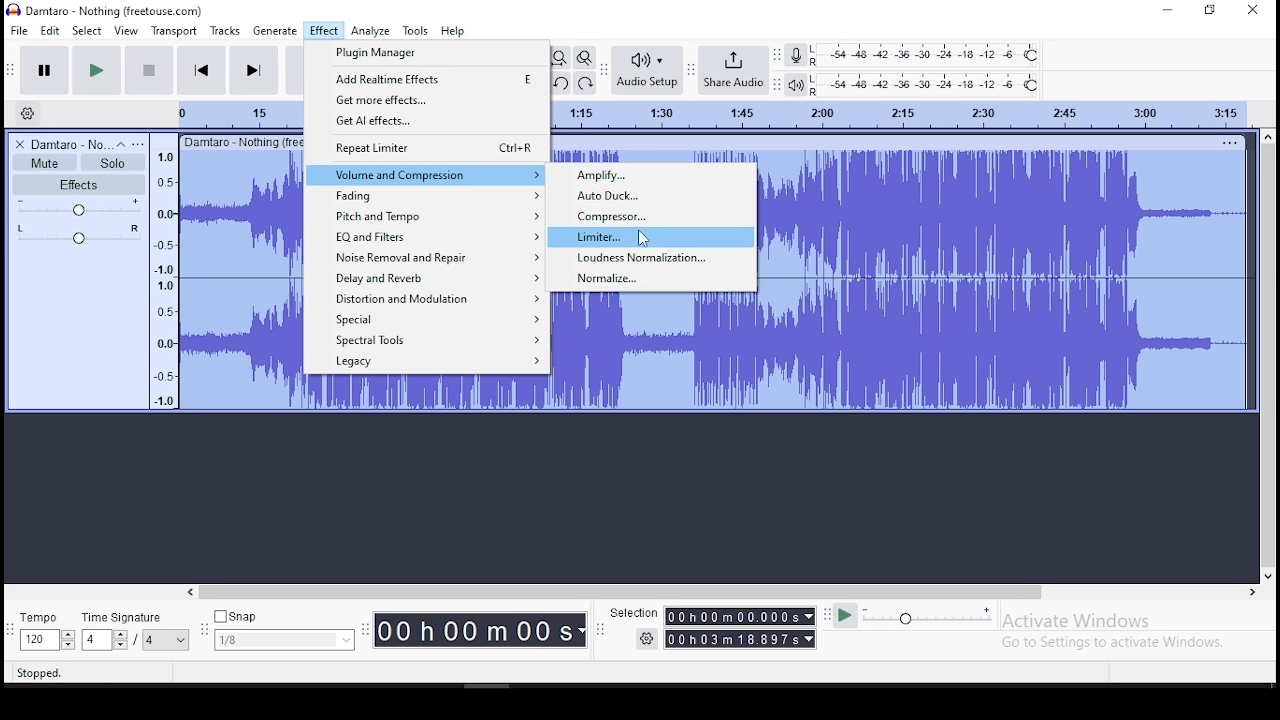  Describe the element at coordinates (646, 640) in the screenshot. I see `settings` at that location.